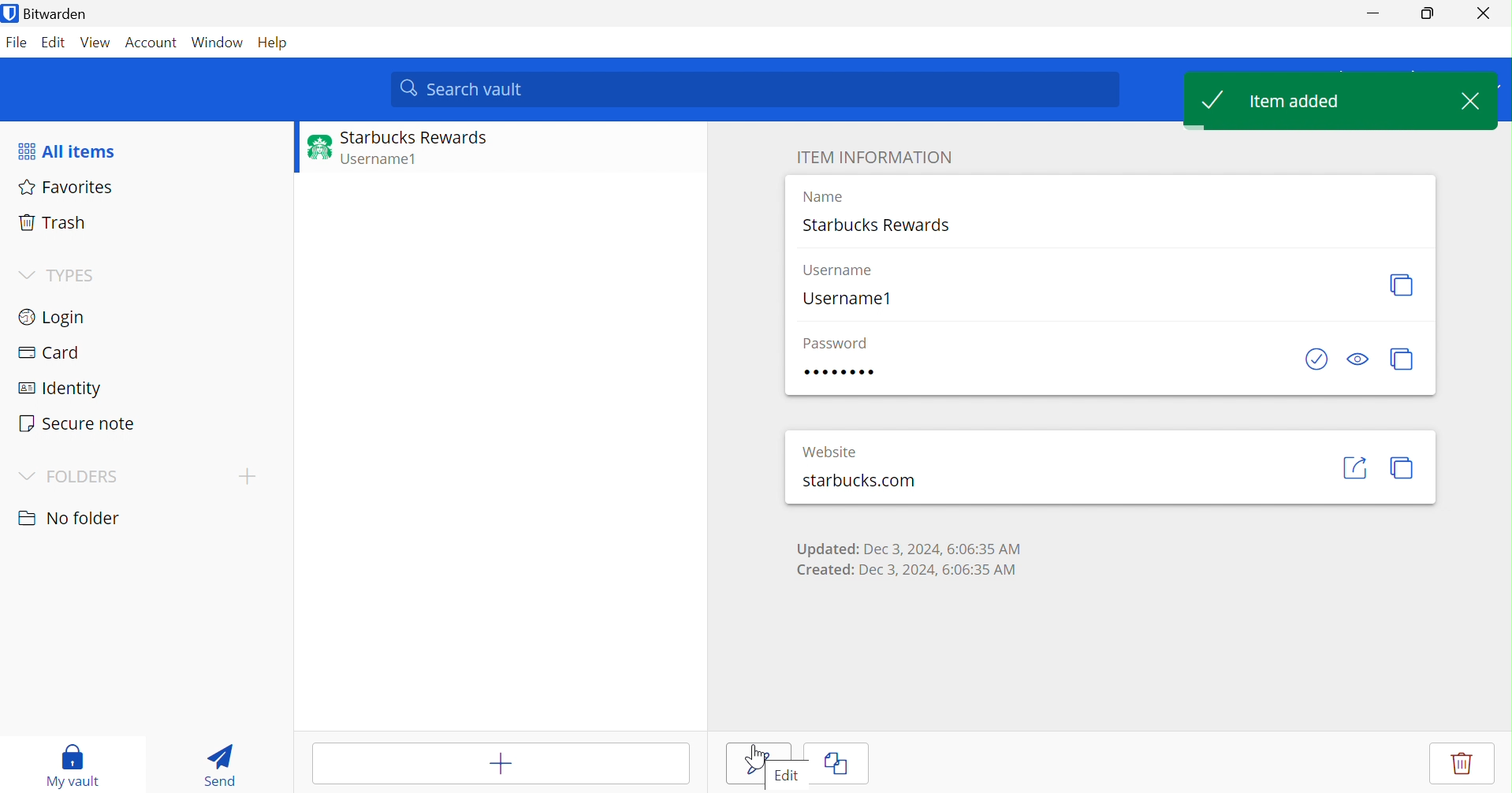 The height and width of the screenshot is (793, 1512). I want to click on Password, so click(836, 373).